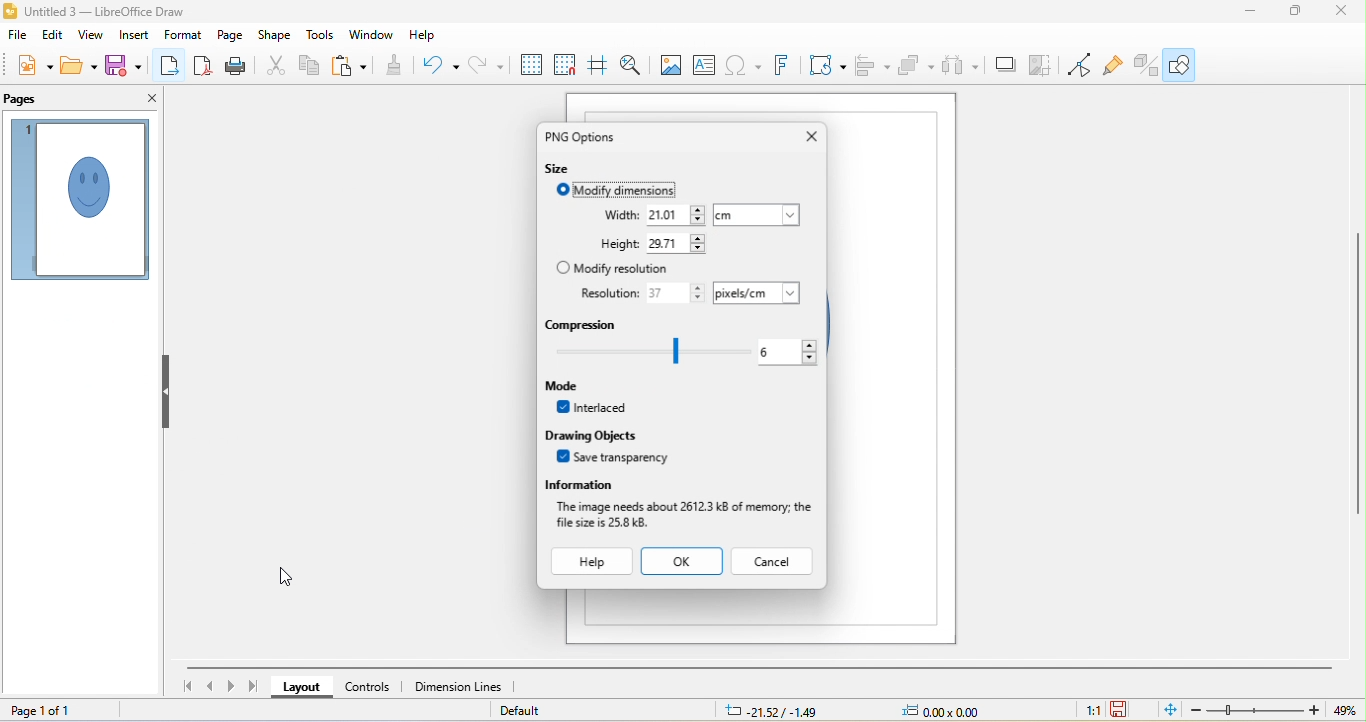 The image size is (1366, 722). I want to click on cursor, so click(286, 578).